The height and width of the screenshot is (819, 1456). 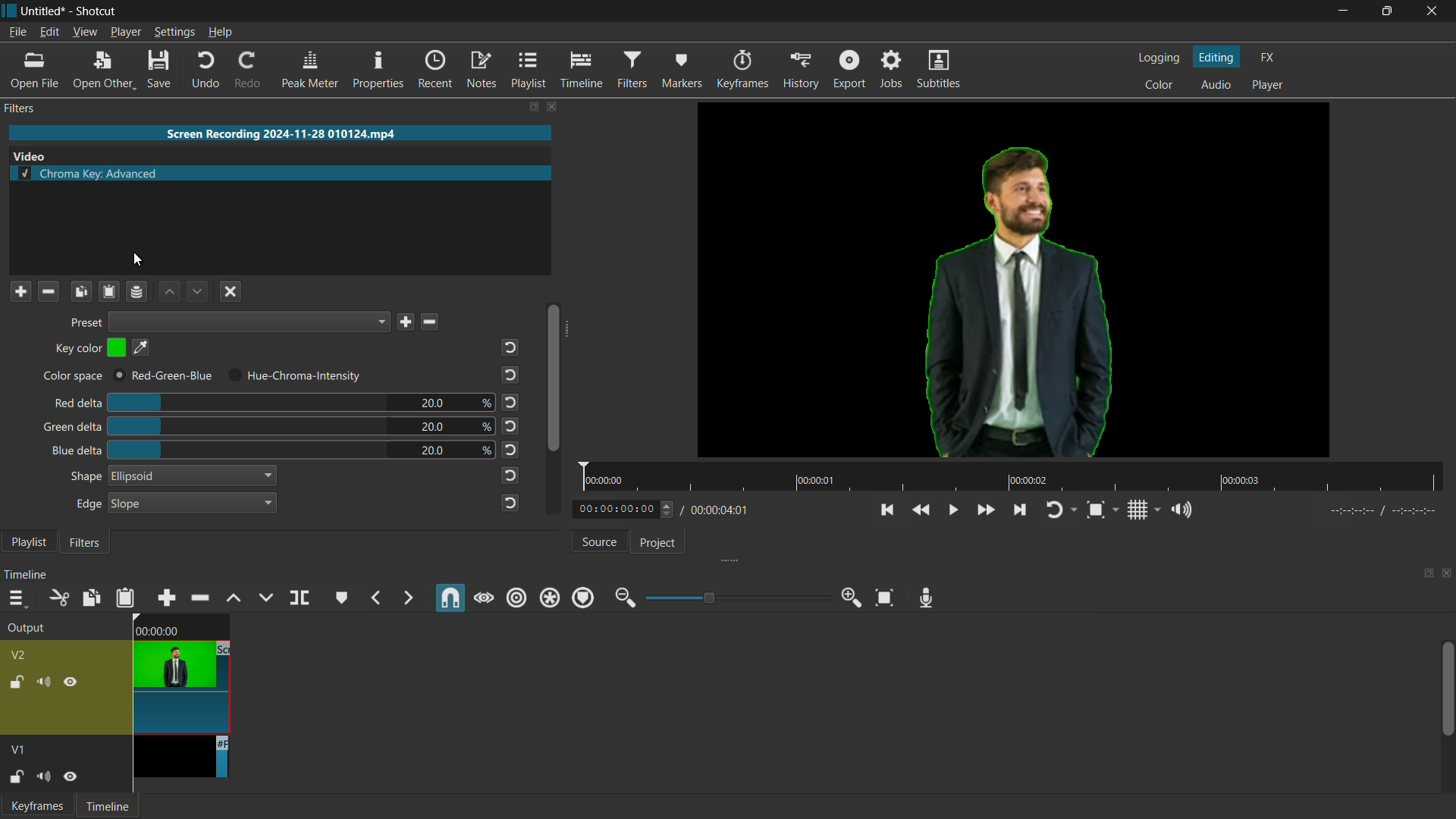 What do you see at coordinates (168, 292) in the screenshot?
I see `up` at bounding box center [168, 292].